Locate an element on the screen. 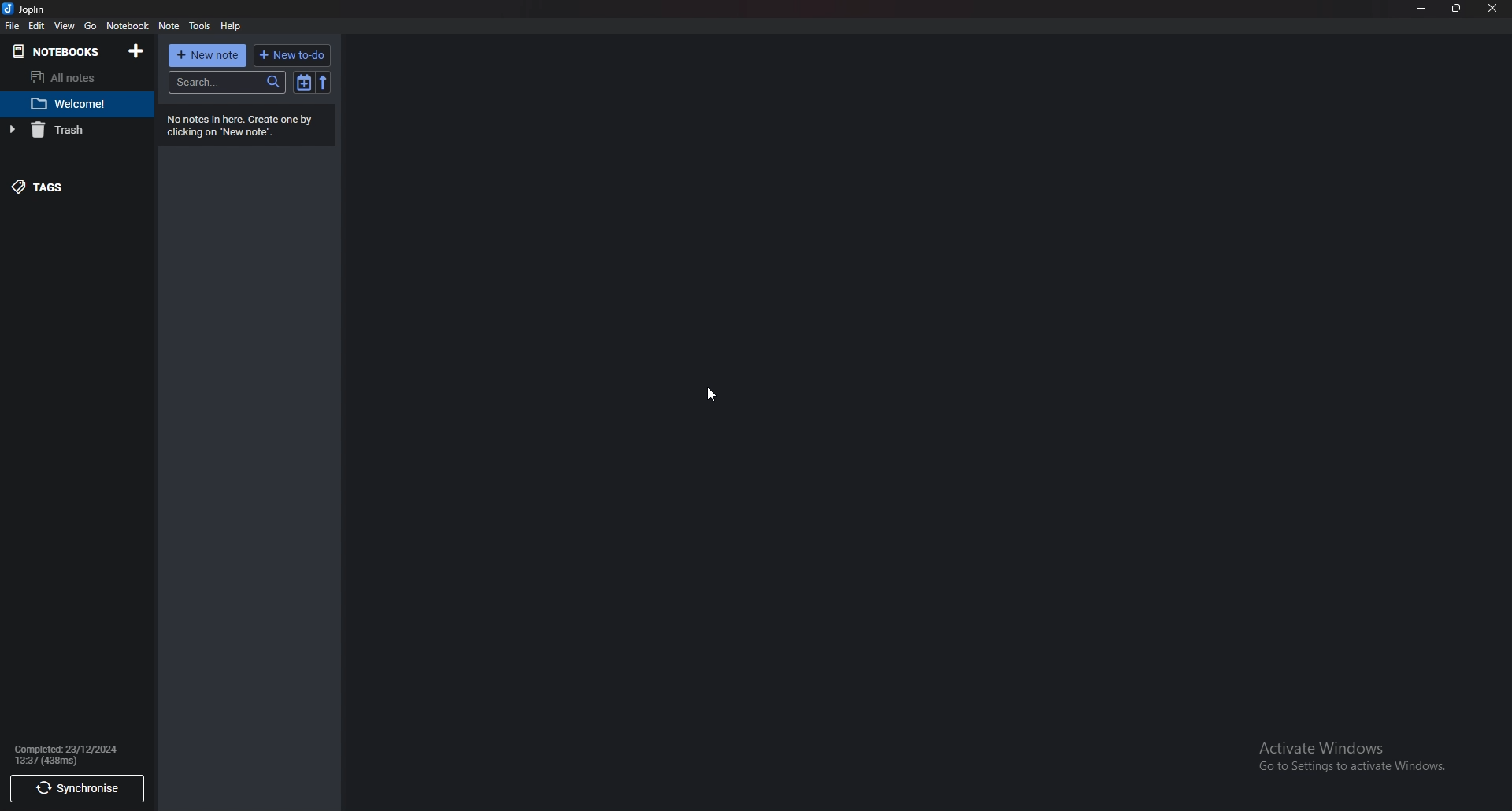 The height and width of the screenshot is (811, 1512). Close is located at coordinates (1492, 8).